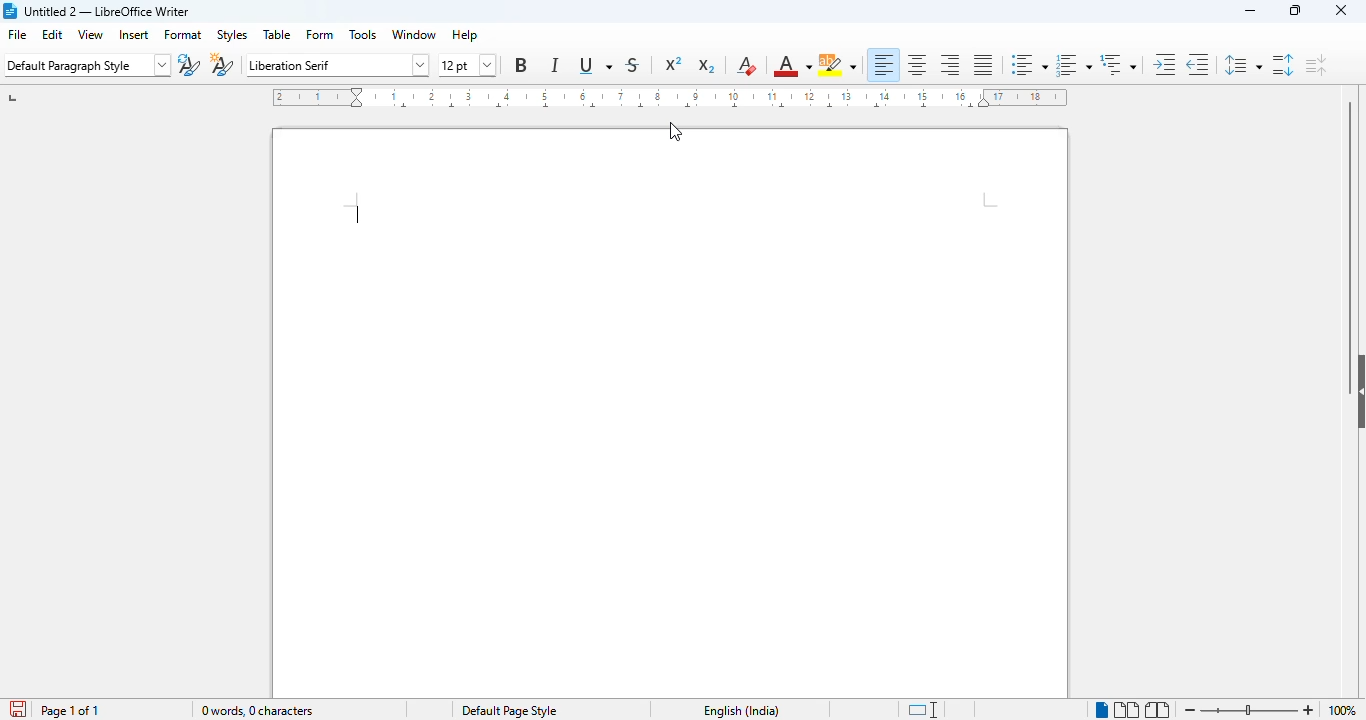 The width and height of the screenshot is (1366, 720). I want to click on left page margins increased, so click(319, 98).